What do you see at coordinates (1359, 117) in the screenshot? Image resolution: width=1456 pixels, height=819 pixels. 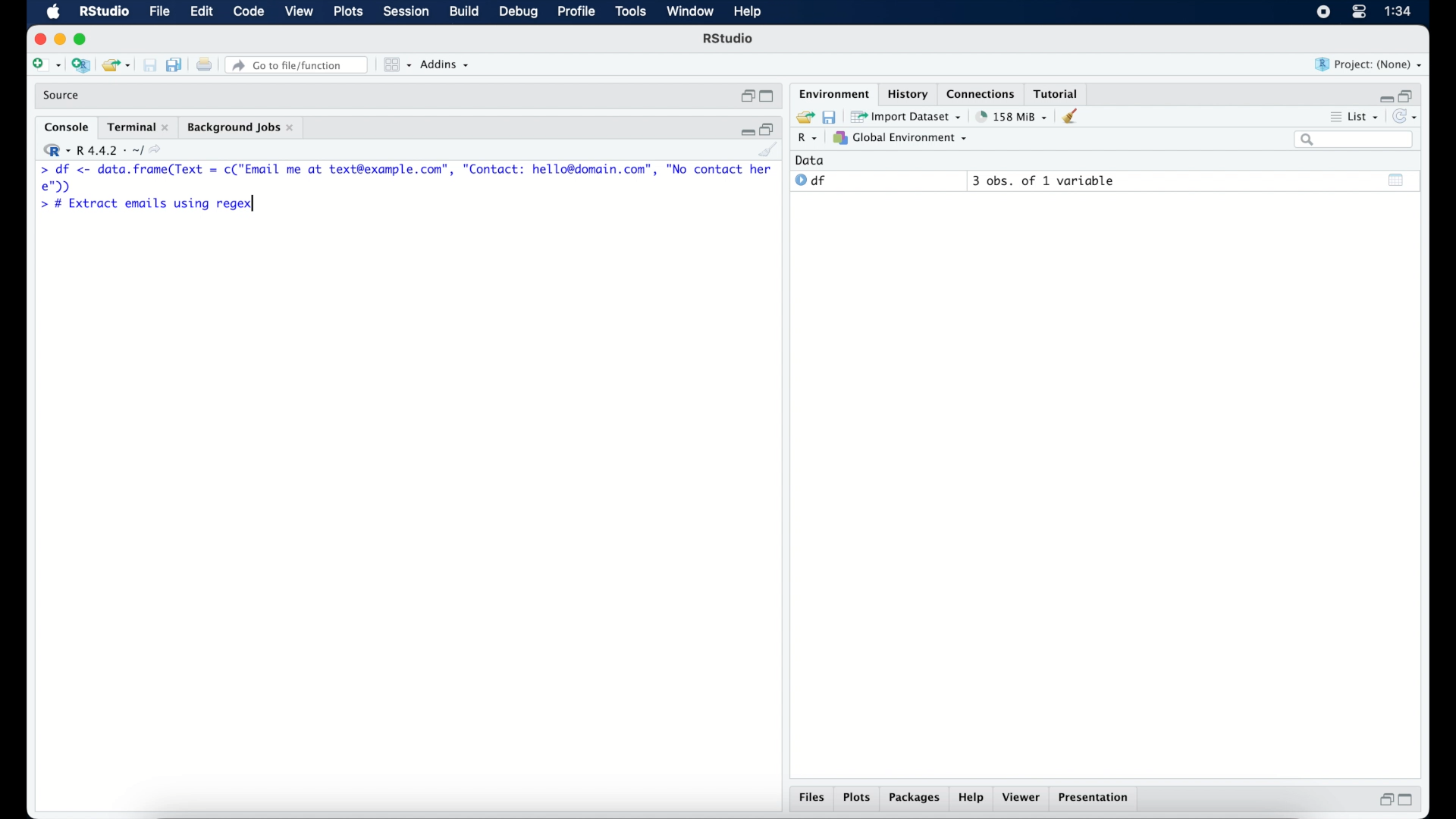 I see `list` at bounding box center [1359, 117].